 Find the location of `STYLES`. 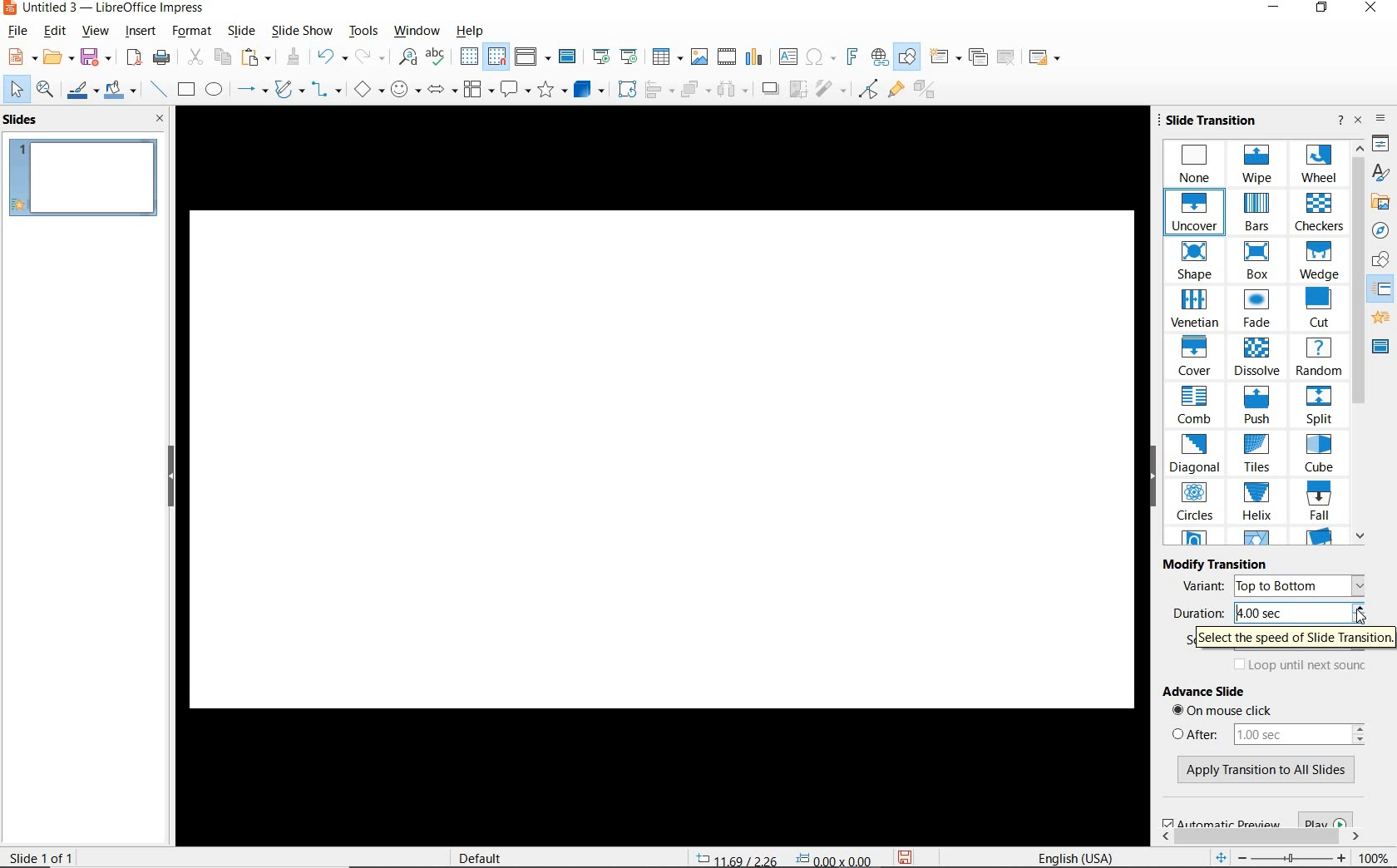

STYLES is located at coordinates (1381, 172).